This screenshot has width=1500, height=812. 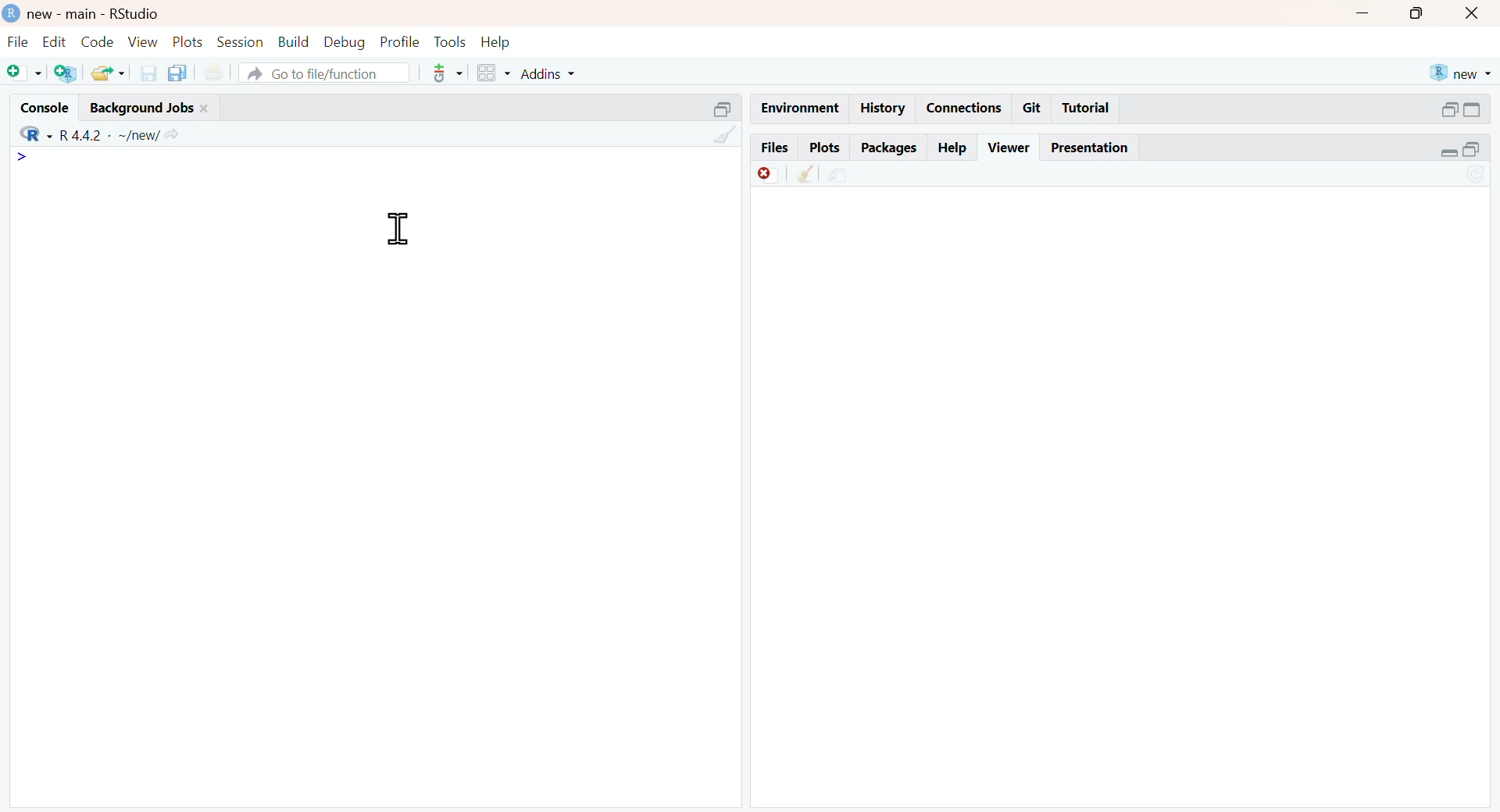 What do you see at coordinates (144, 72) in the screenshot?
I see `Save current doc` at bounding box center [144, 72].